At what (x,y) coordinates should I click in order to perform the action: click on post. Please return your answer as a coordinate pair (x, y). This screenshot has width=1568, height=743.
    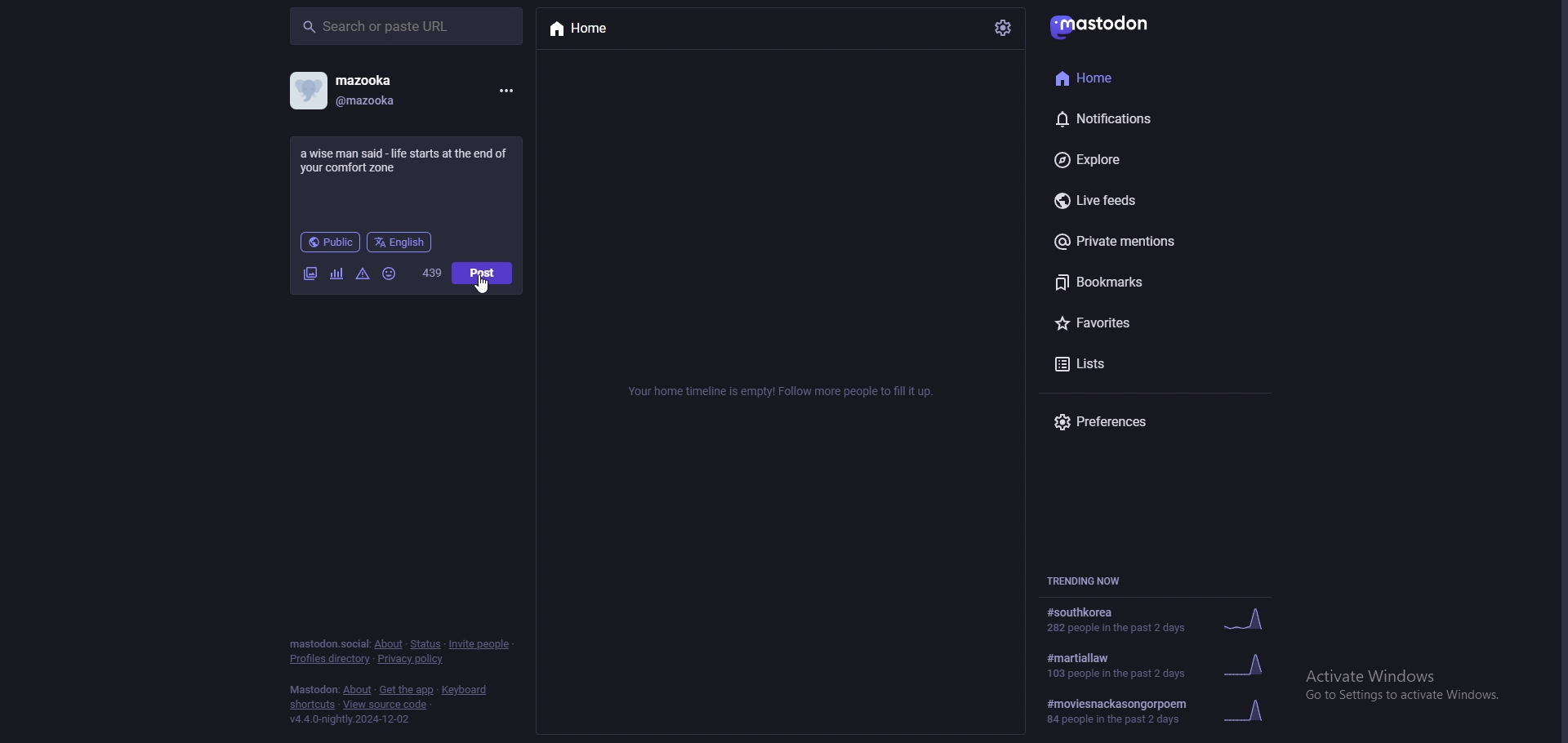
    Looking at the image, I should click on (483, 274).